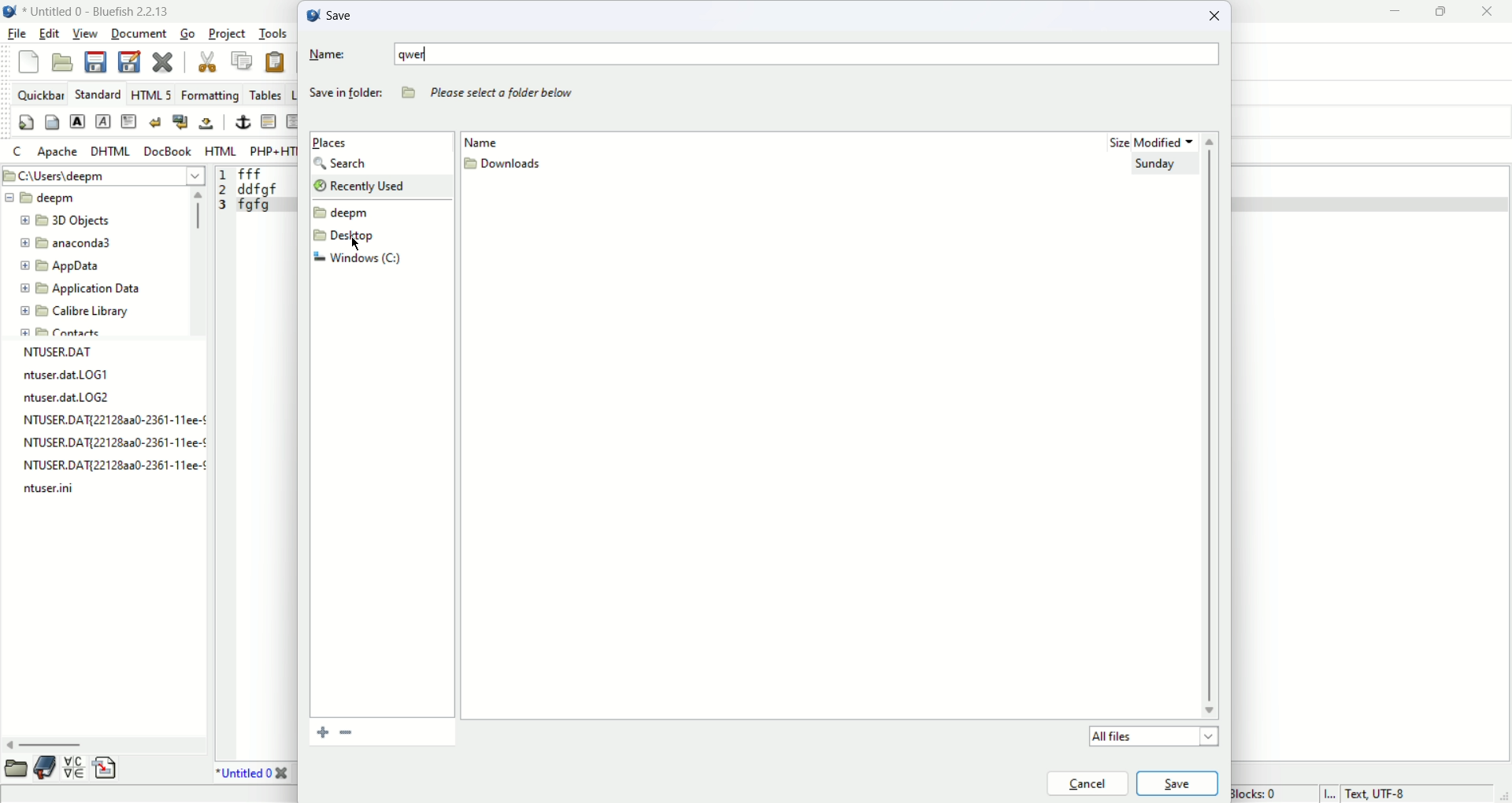 This screenshot has width=1512, height=803. Describe the element at coordinates (349, 237) in the screenshot. I see `desktop` at that location.